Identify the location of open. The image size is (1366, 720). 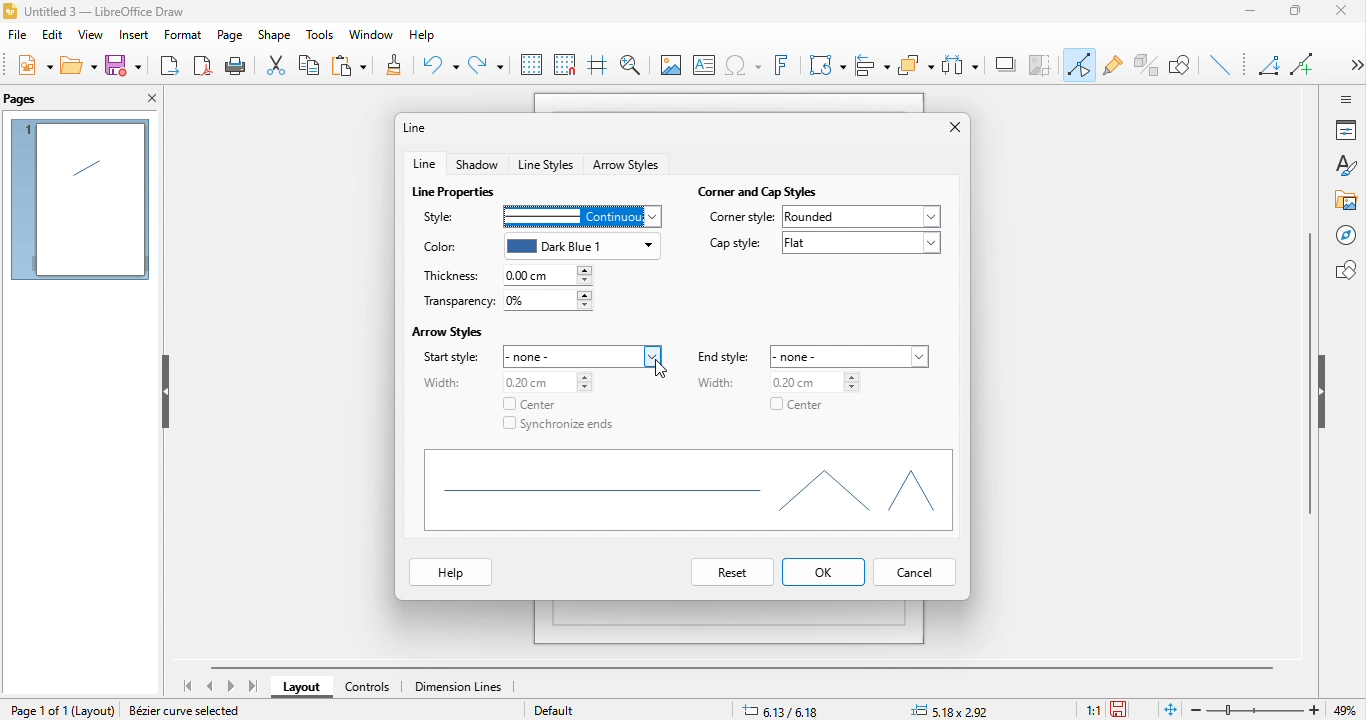
(80, 65).